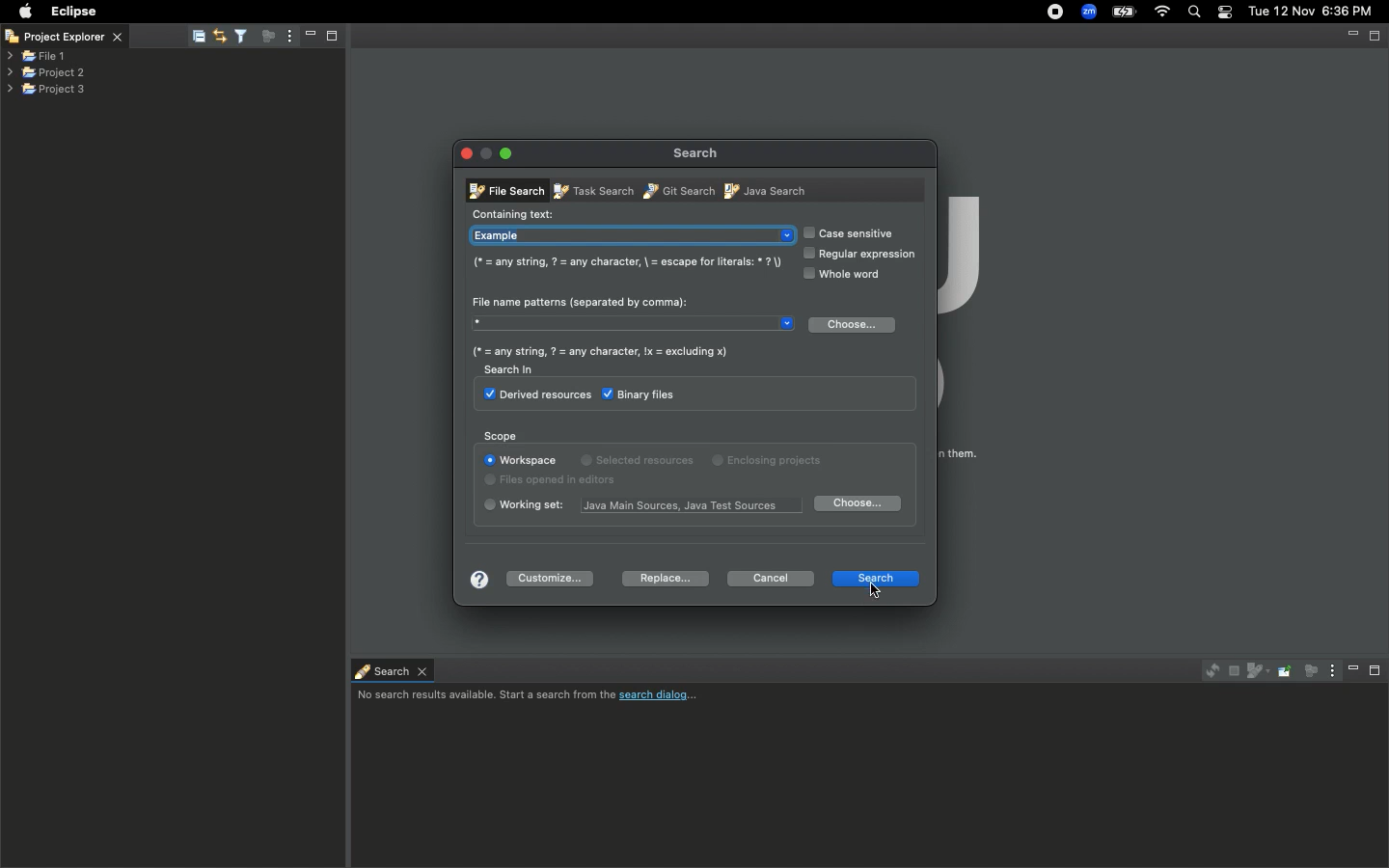  What do you see at coordinates (532, 396) in the screenshot?
I see `Derived resources` at bounding box center [532, 396].